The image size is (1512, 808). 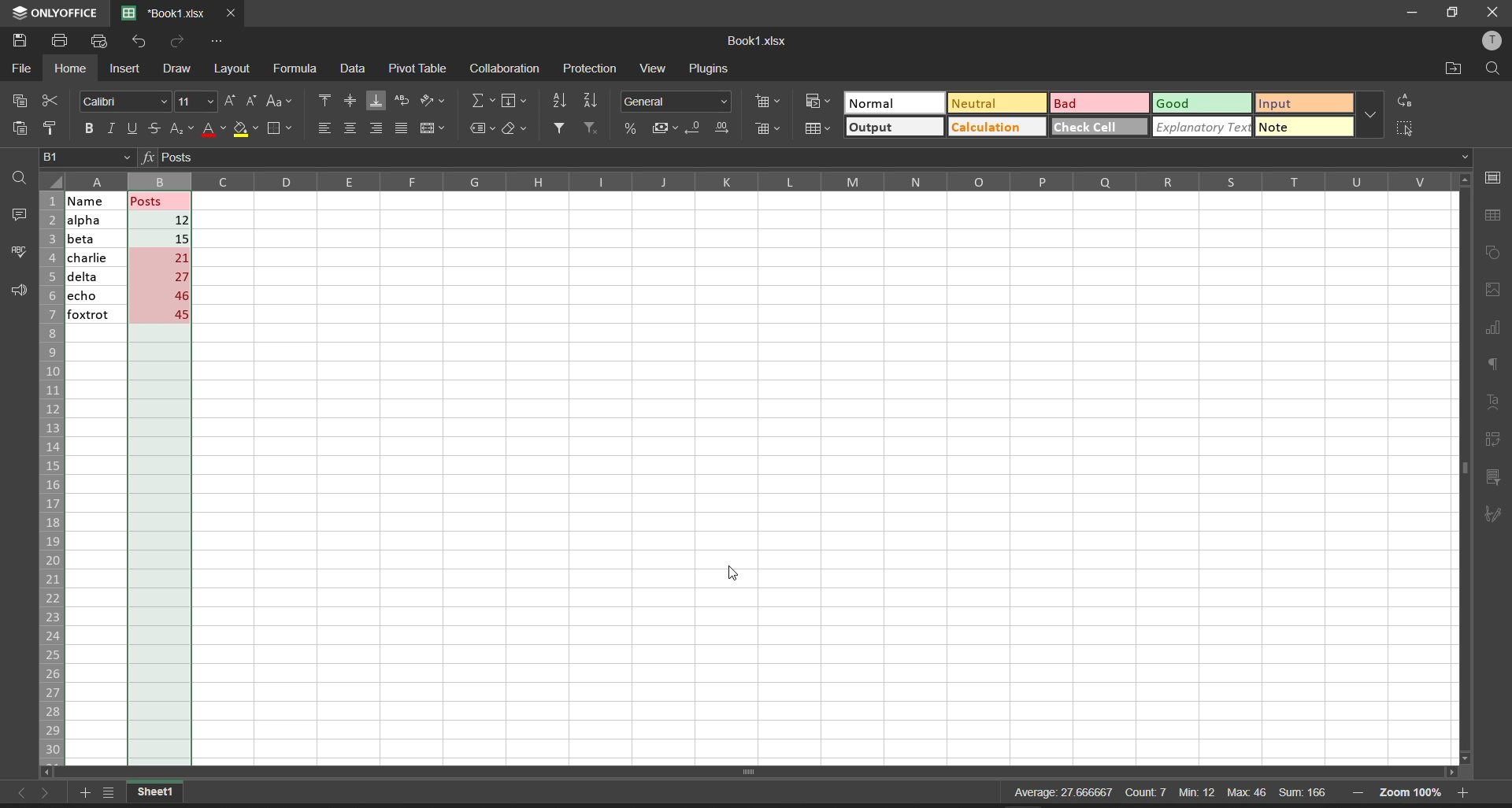 I want to click on underline, so click(x=132, y=130).